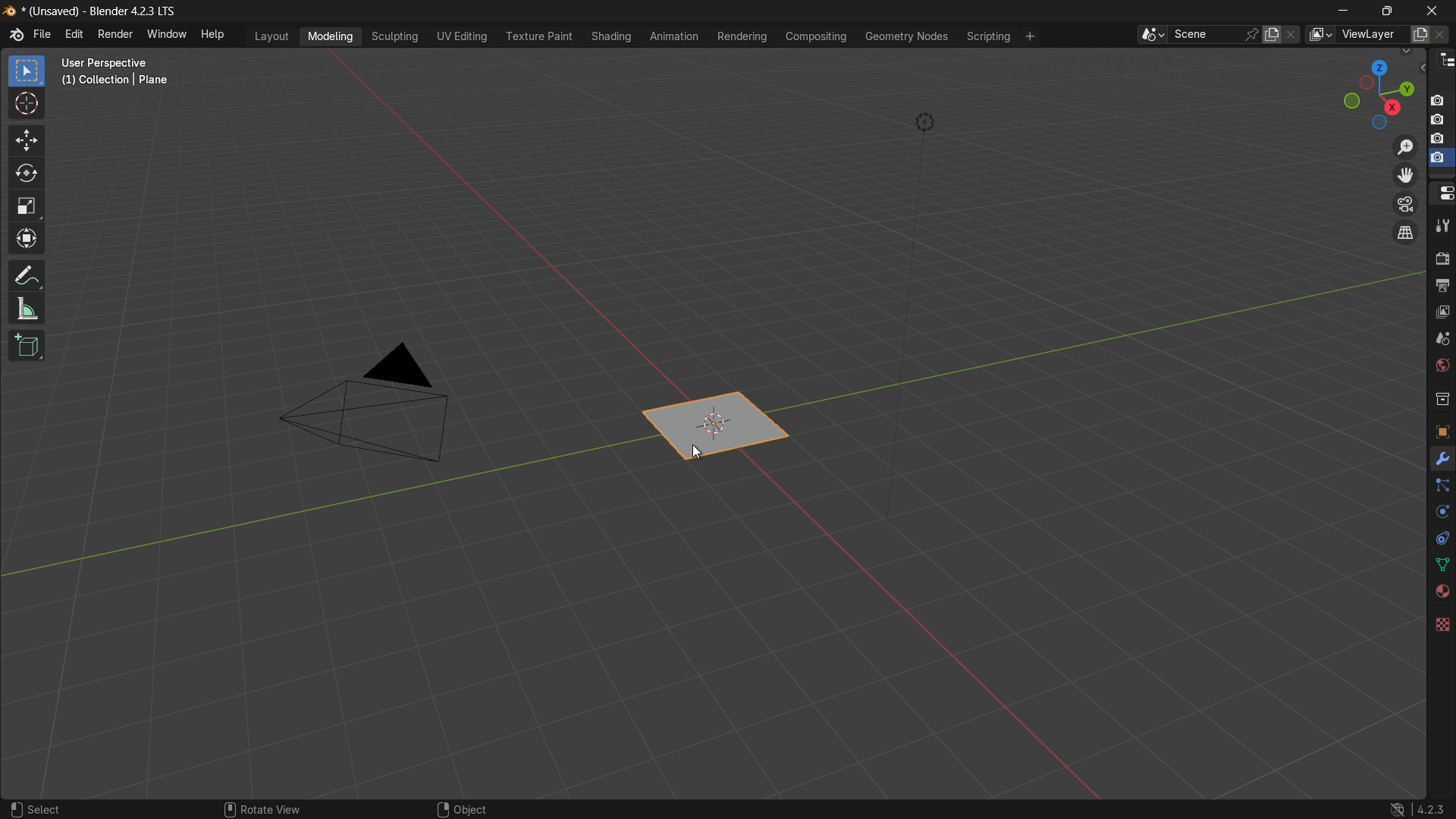 The image size is (1456, 819). What do you see at coordinates (77, 36) in the screenshot?
I see `edit menu` at bounding box center [77, 36].